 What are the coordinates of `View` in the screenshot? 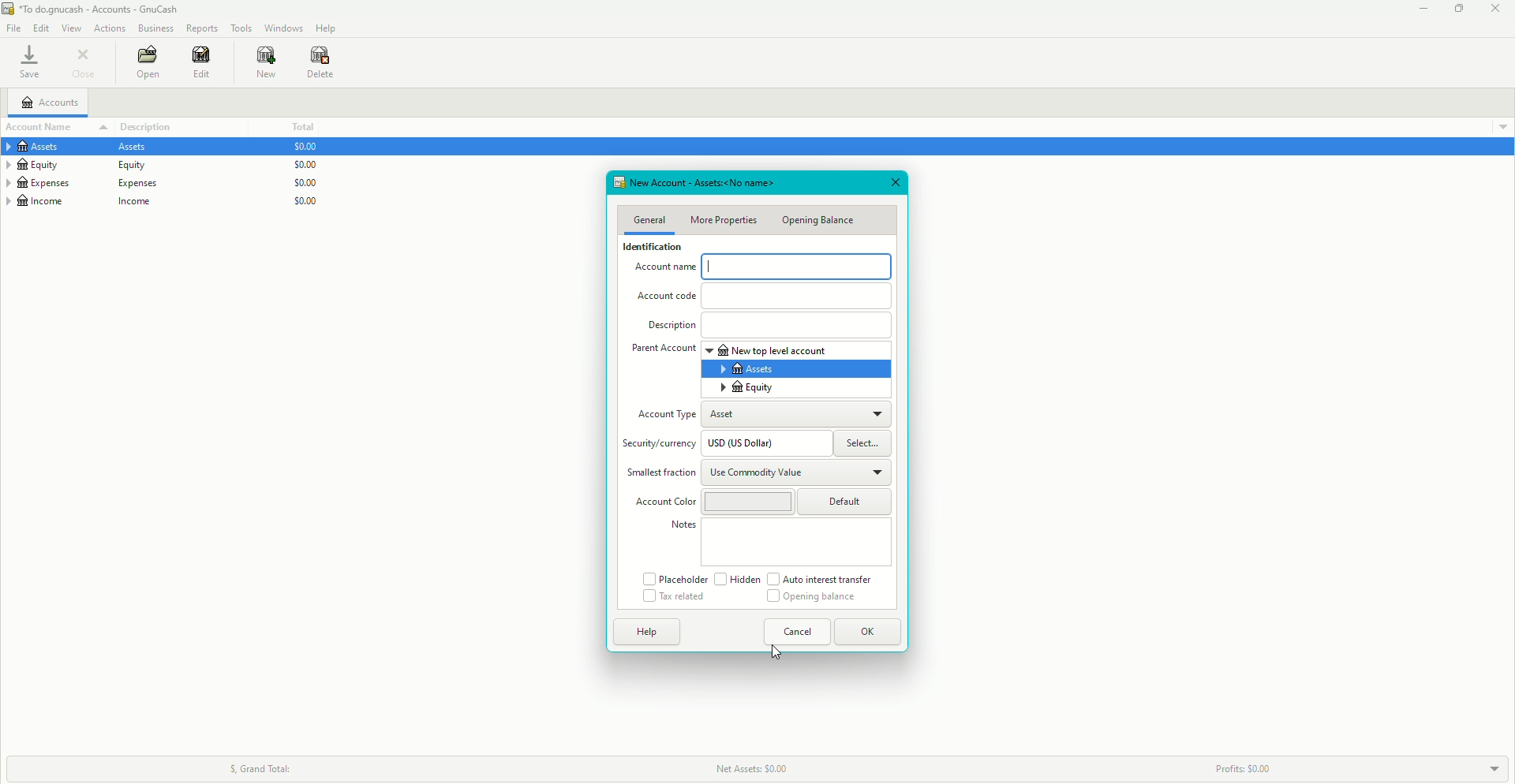 It's located at (73, 28).